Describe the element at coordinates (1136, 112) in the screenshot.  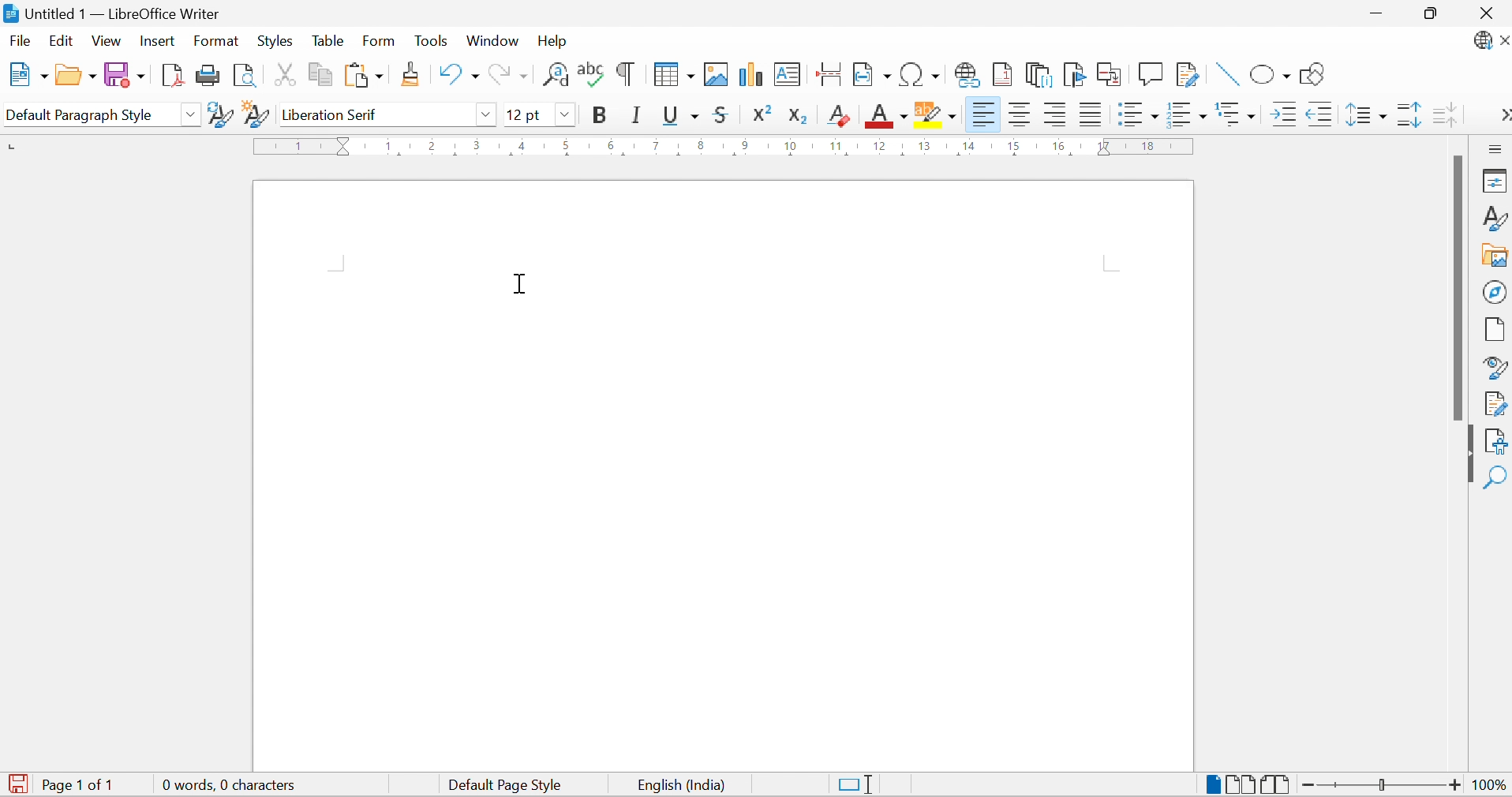
I see `Toggle Unordered List` at that location.